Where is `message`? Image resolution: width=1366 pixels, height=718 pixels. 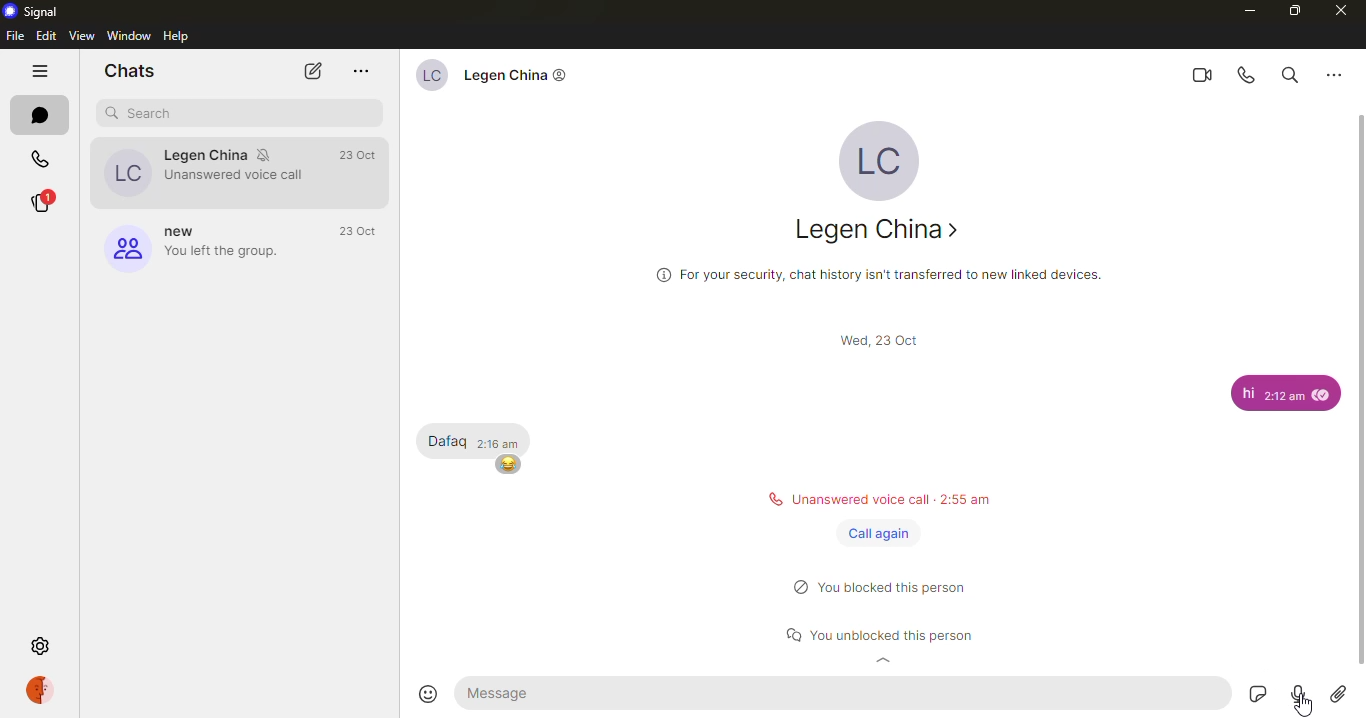
message is located at coordinates (503, 693).